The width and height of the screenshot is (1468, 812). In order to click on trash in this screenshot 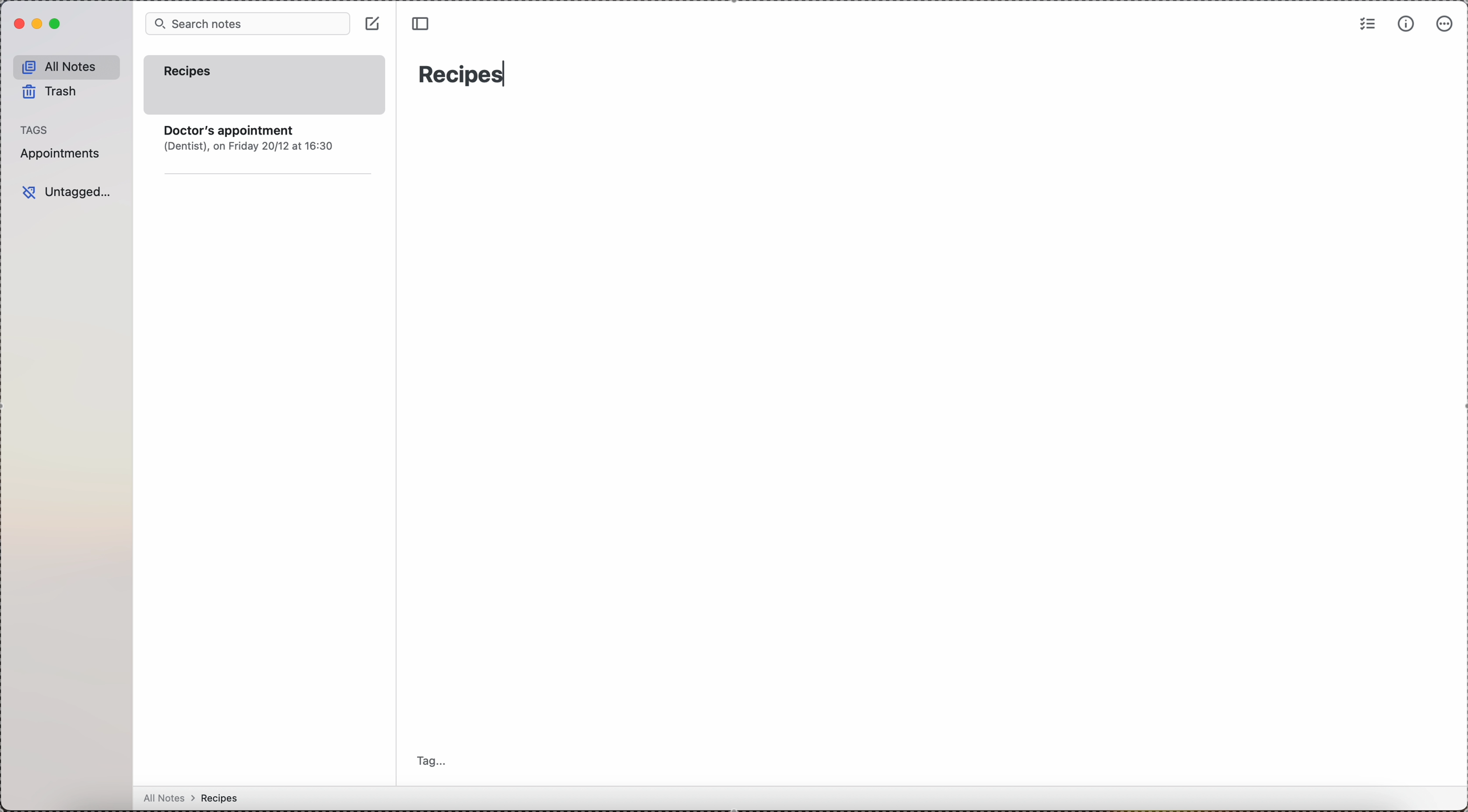, I will do `click(56, 91)`.